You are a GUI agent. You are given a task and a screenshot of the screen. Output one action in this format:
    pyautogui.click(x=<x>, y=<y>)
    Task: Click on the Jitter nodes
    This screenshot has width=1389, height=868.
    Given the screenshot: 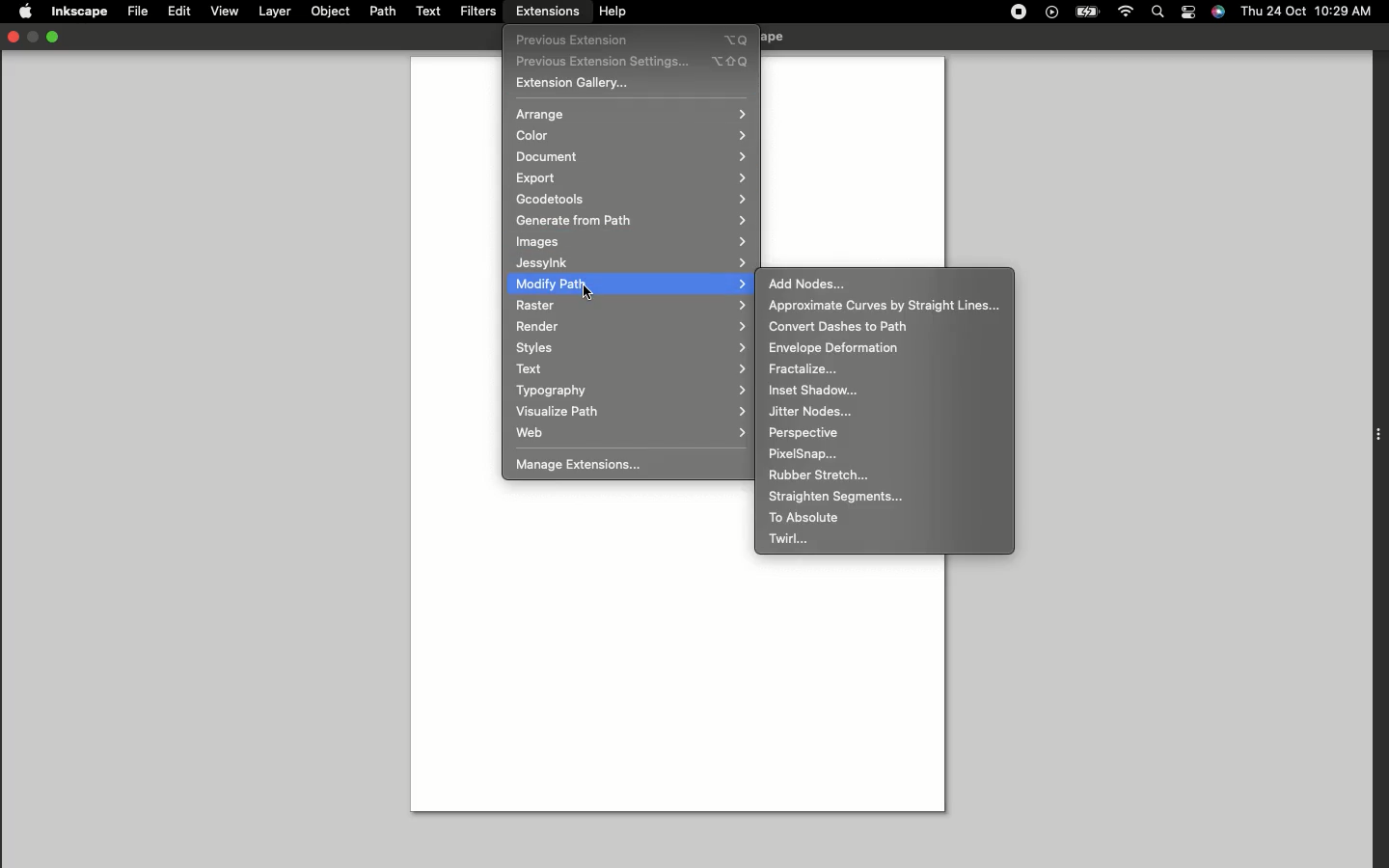 What is the action you would take?
    pyautogui.click(x=809, y=411)
    